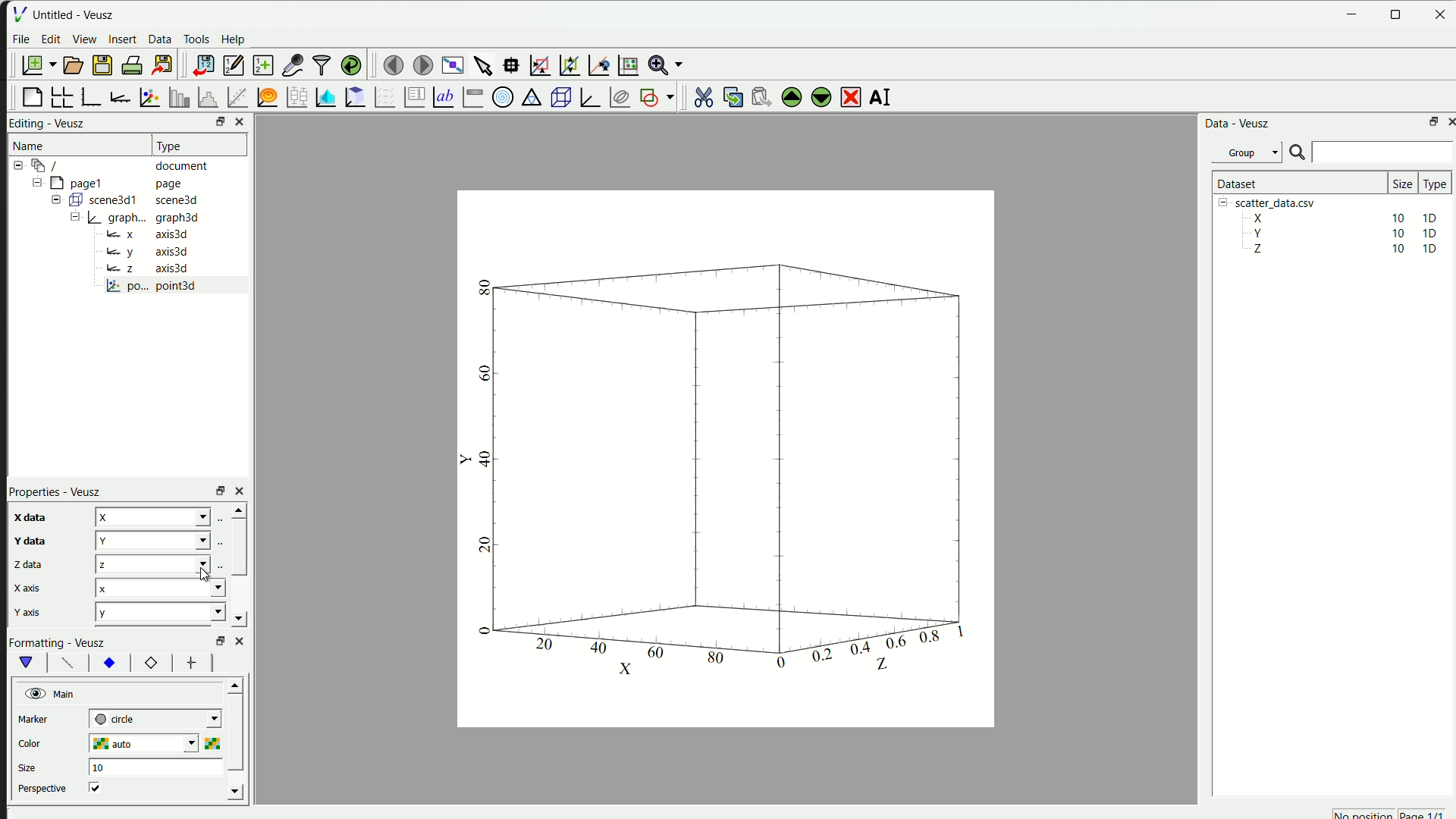  Describe the element at coordinates (1398, 180) in the screenshot. I see `size` at that location.